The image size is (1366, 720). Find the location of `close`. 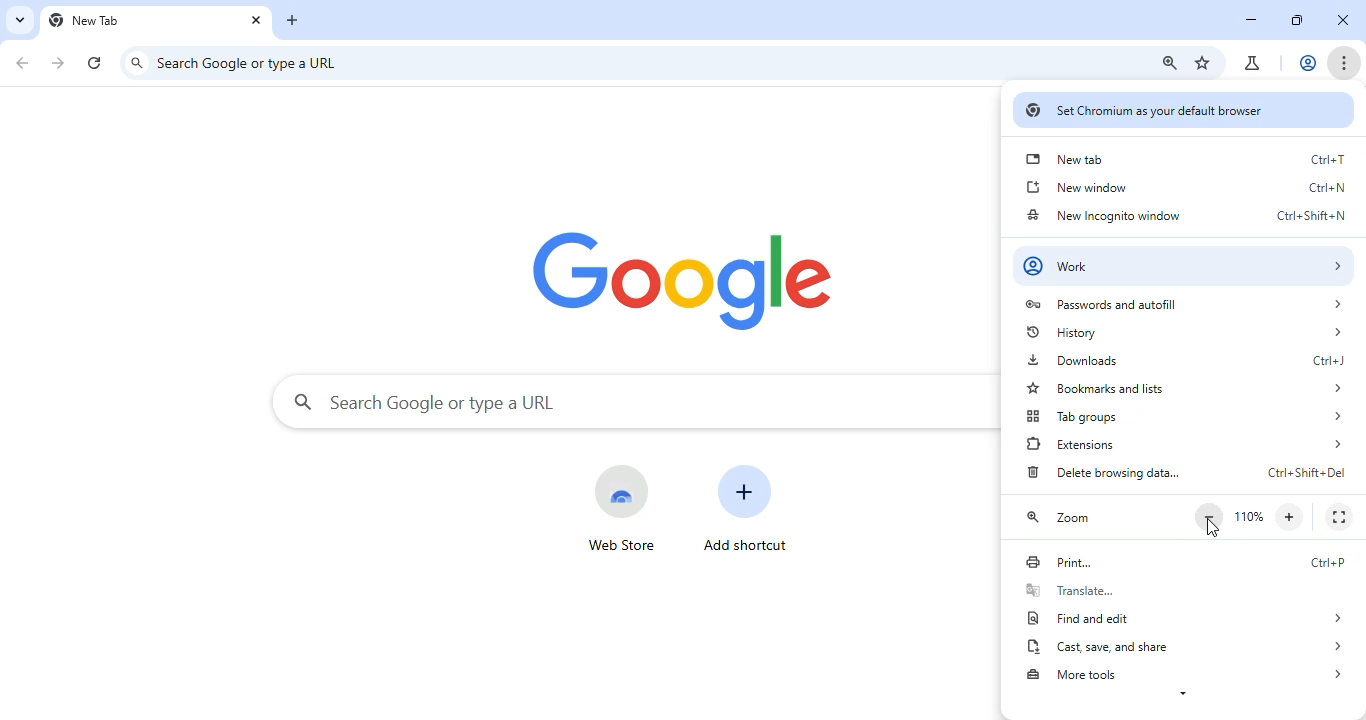

close is located at coordinates (1343, 21).